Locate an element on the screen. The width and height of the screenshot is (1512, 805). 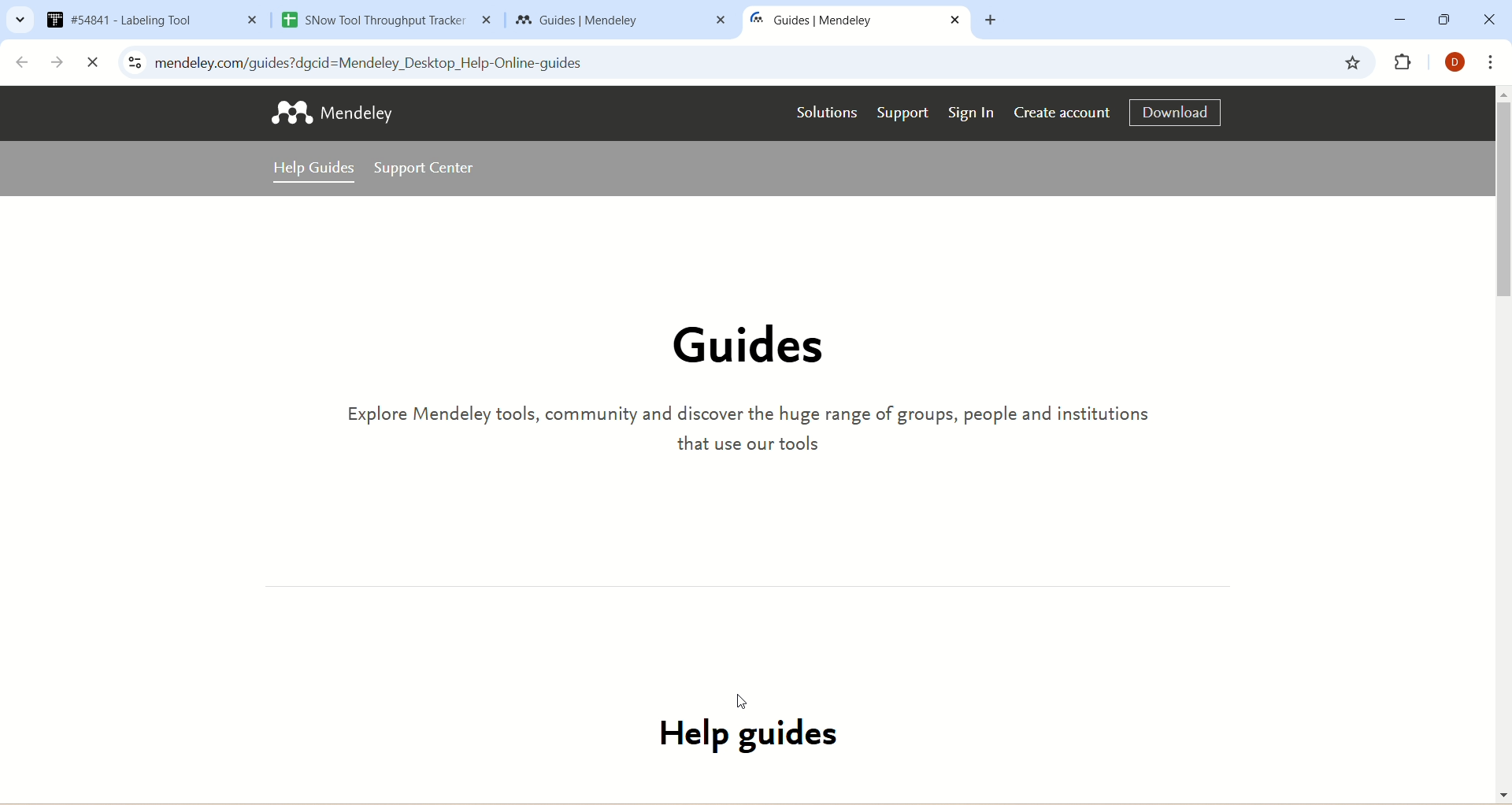
close is located at coordinates (92, 64).